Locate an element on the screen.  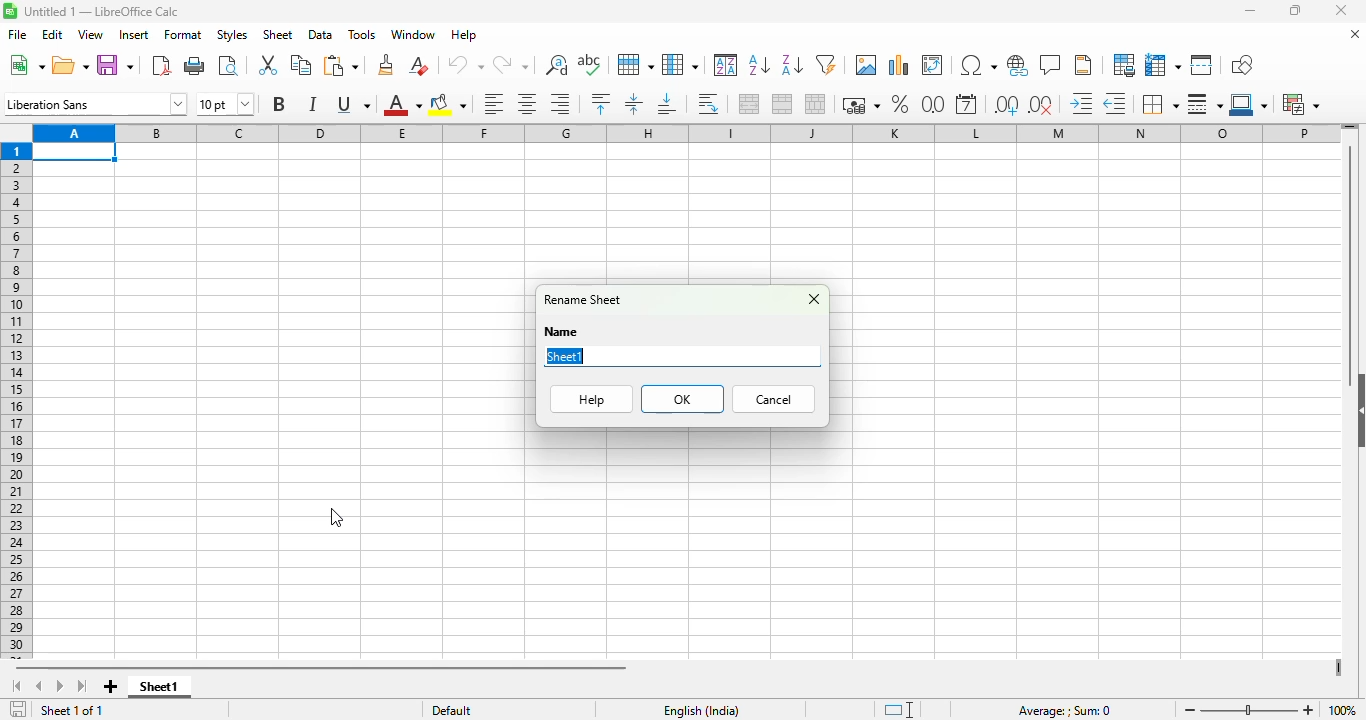
insert comment is located at coordinates (1050, 64).